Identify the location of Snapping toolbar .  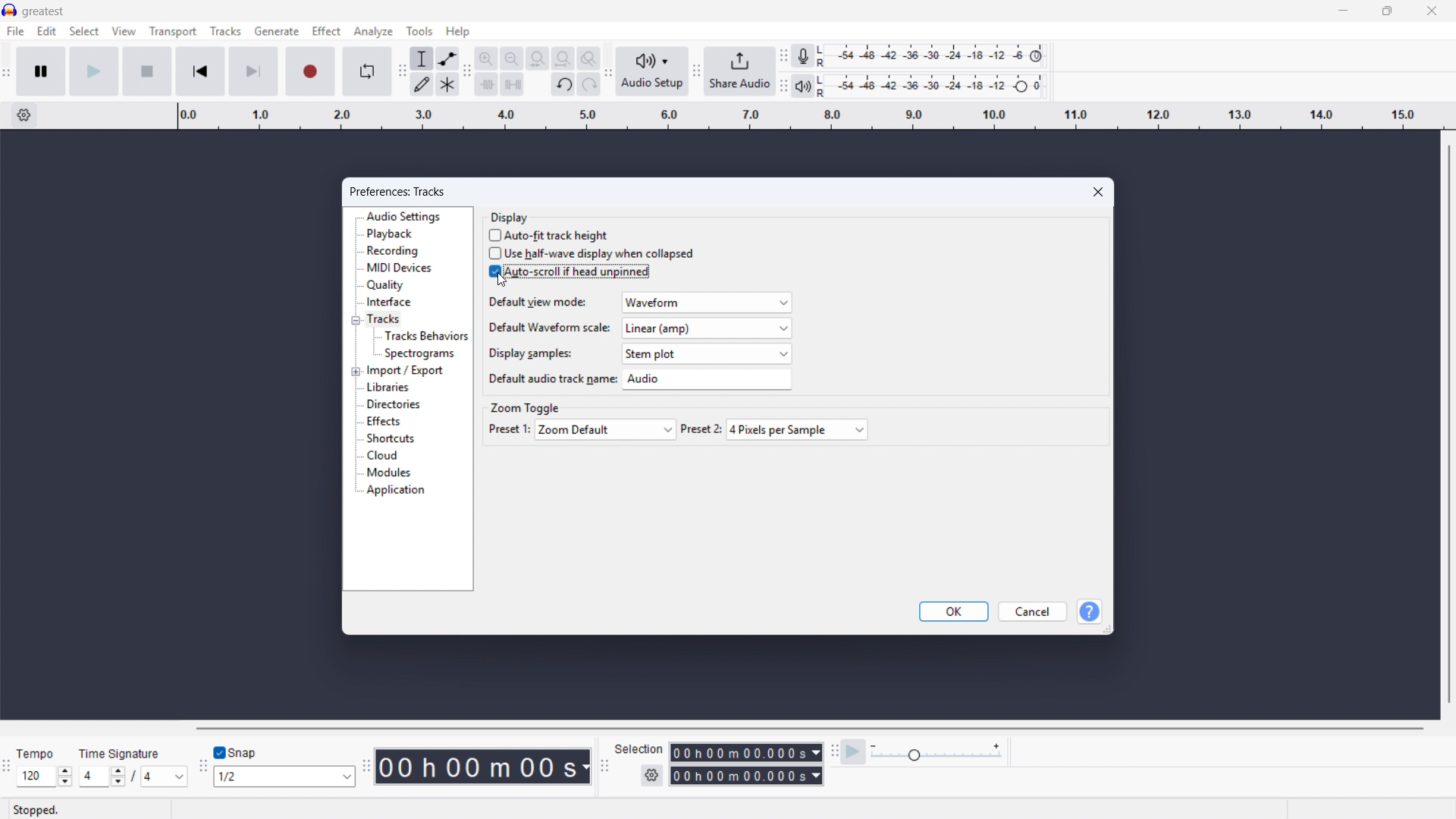
(204, 767).